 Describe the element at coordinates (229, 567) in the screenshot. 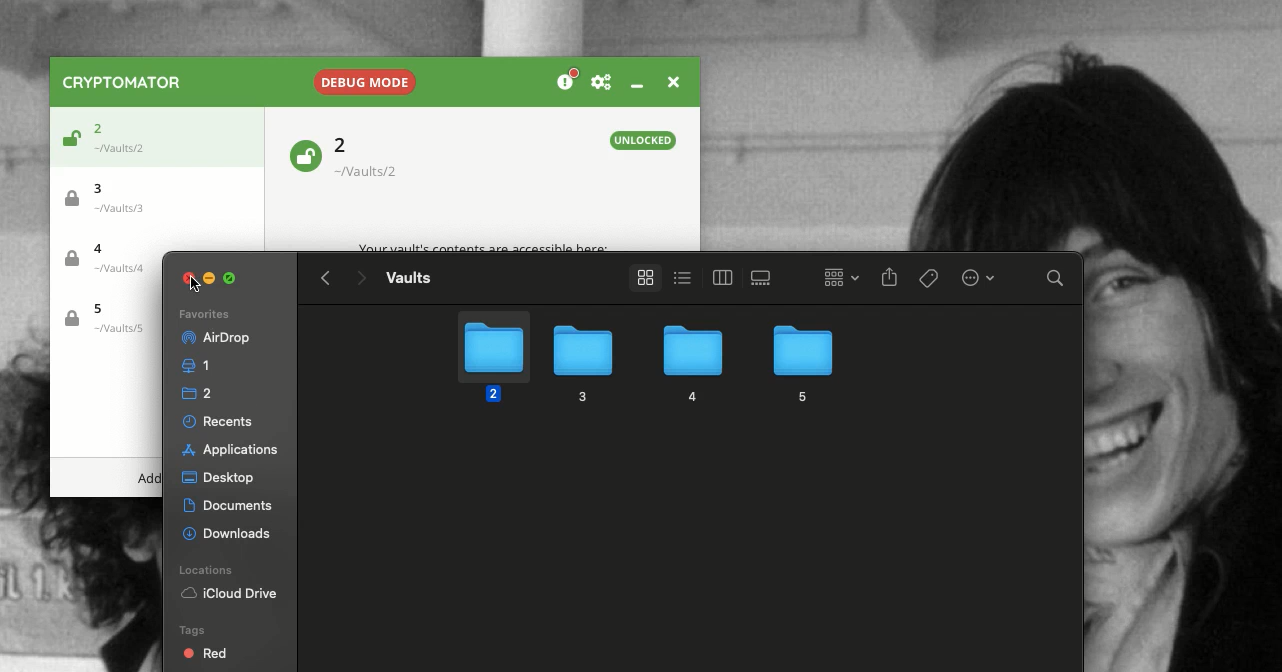

I see `iCloud Drive` at that location.